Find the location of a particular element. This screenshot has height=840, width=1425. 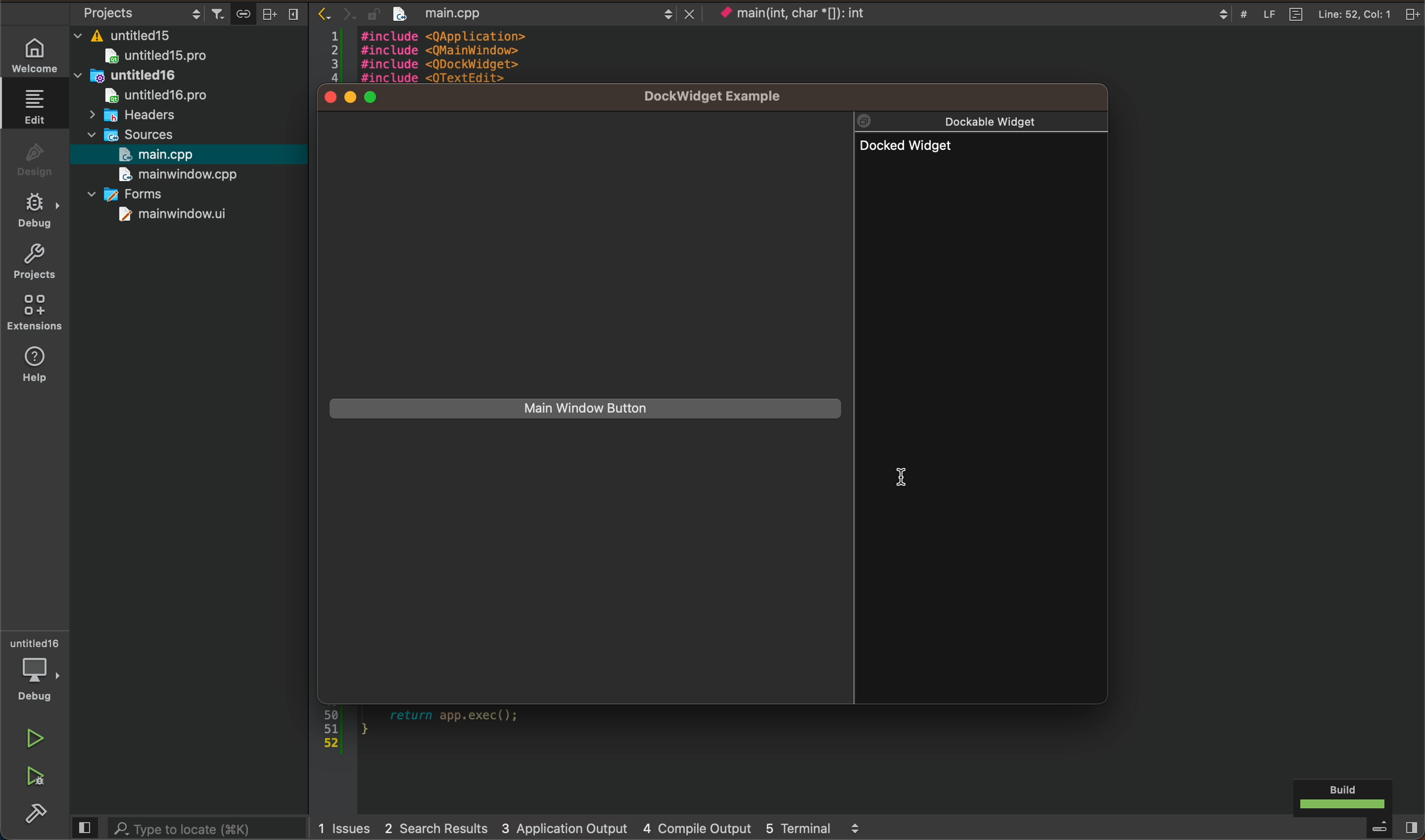

mainwindow is located at coordinates (172, 216).